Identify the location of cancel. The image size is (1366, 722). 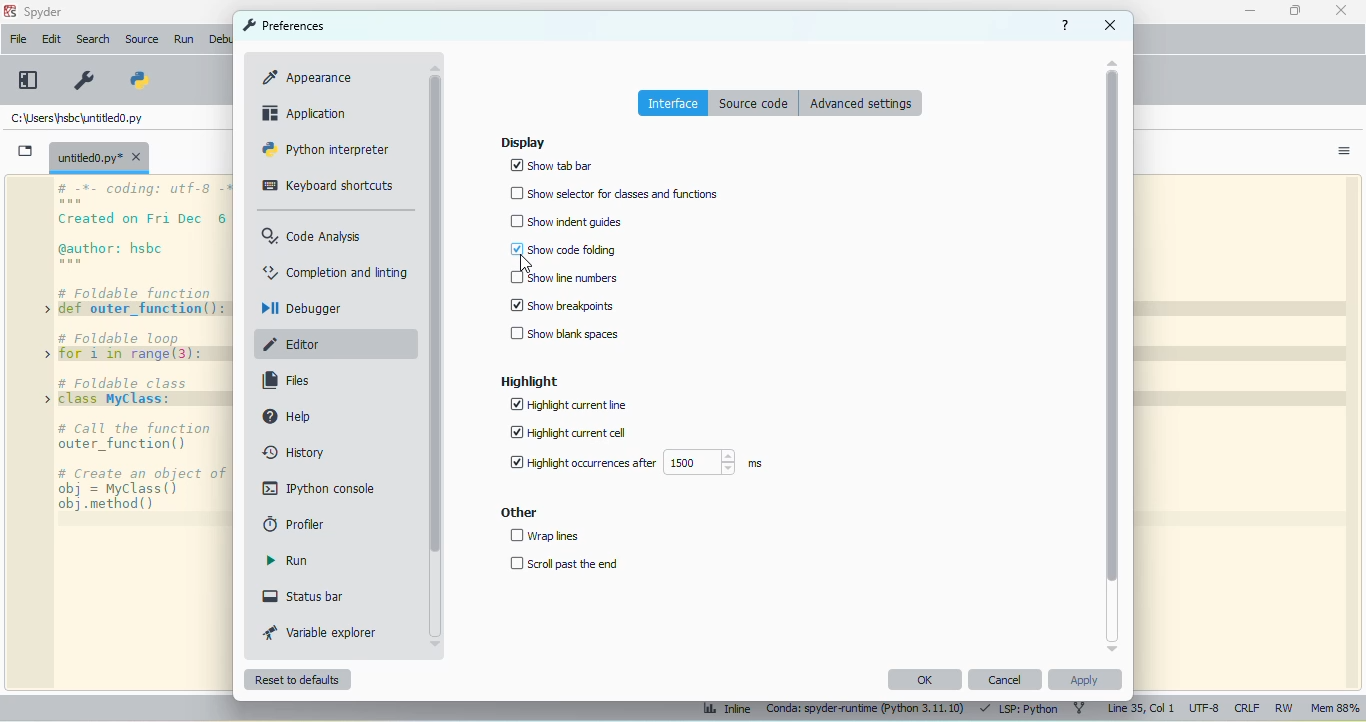
(1006, 679).